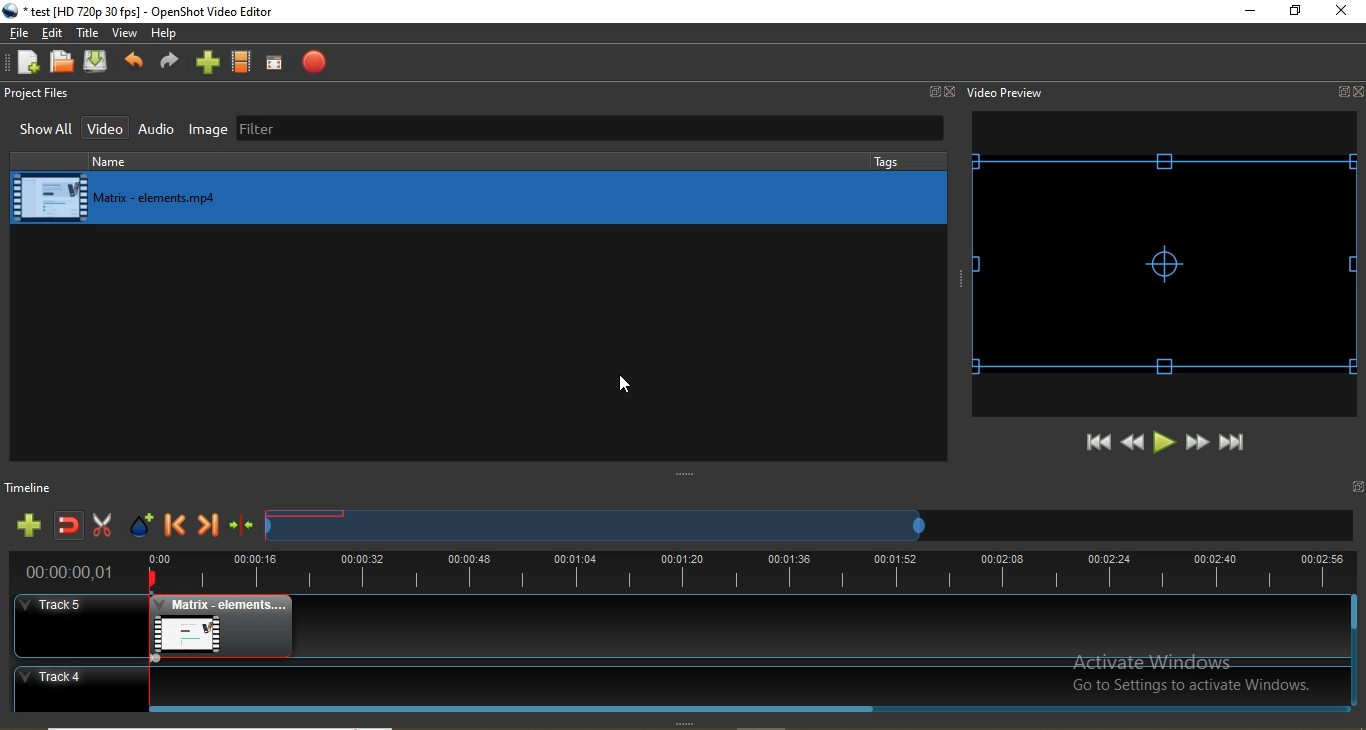 This screenshot has width=1366, height=730. What do you see at coordinates (17, 34) in the screenshot?
I see `File` at bounding box center [17, 34].